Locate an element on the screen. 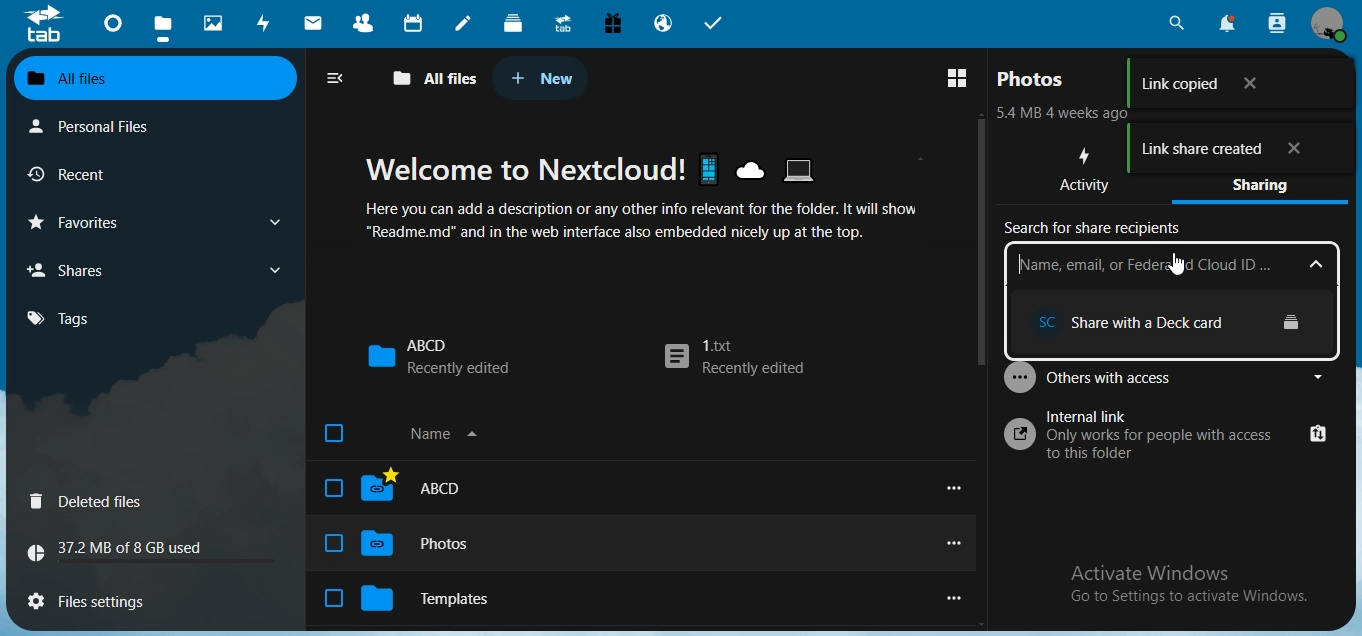 Image resolution: width=1362 pixels, height=636 pixels. new is located at coordinates (542, 78).